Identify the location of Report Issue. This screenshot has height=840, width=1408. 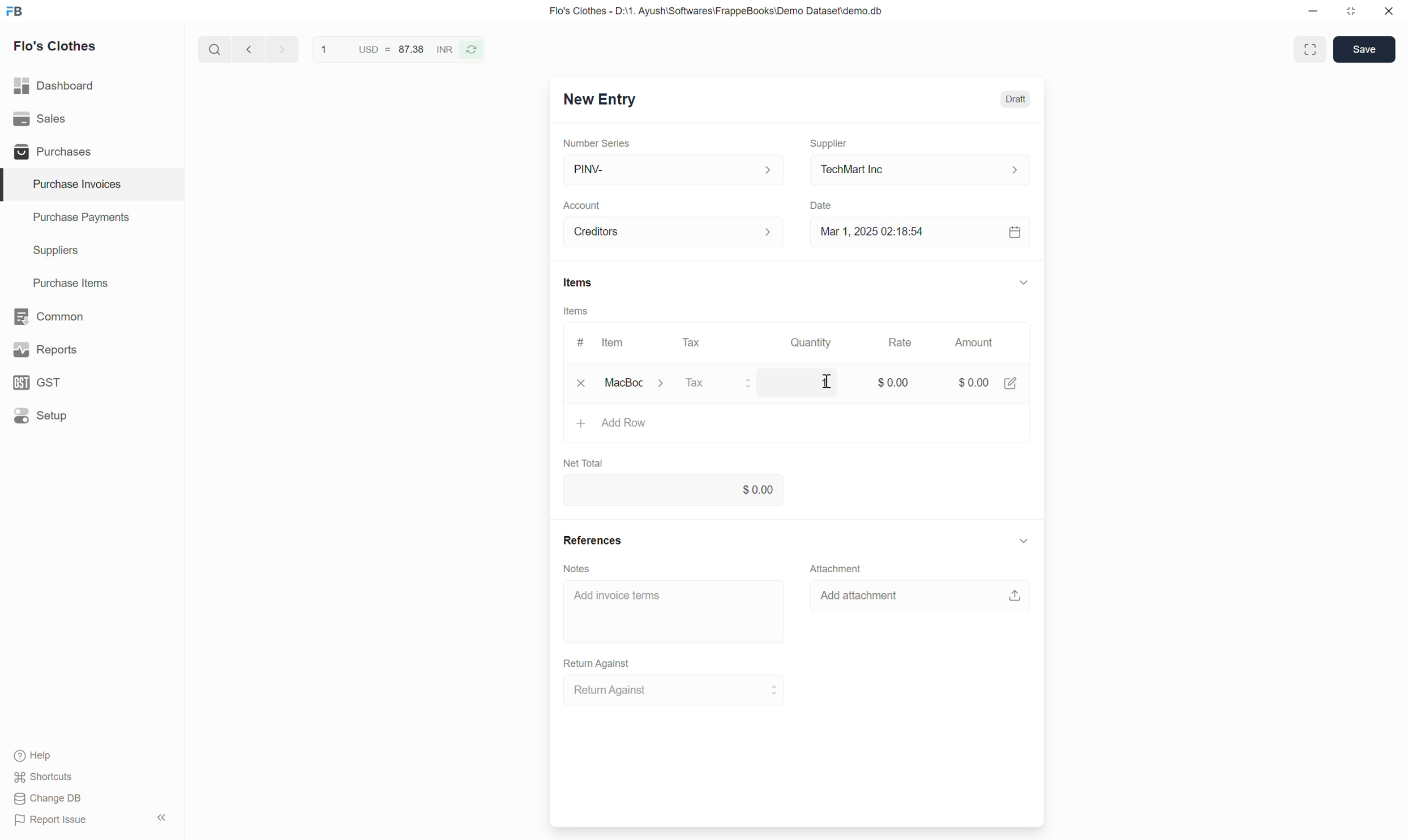
(52, 820).